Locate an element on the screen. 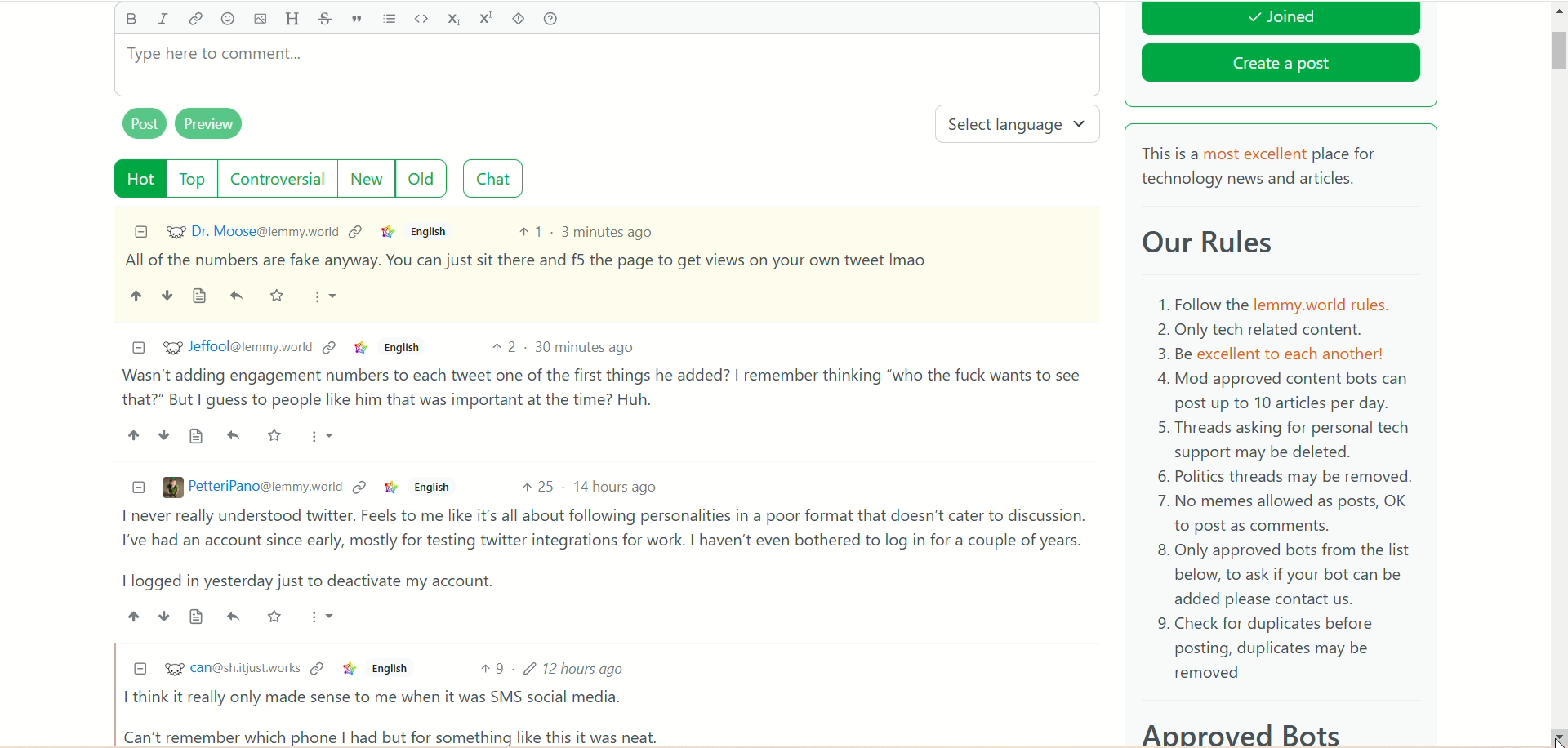  Link is located at coordinates (361, 348).